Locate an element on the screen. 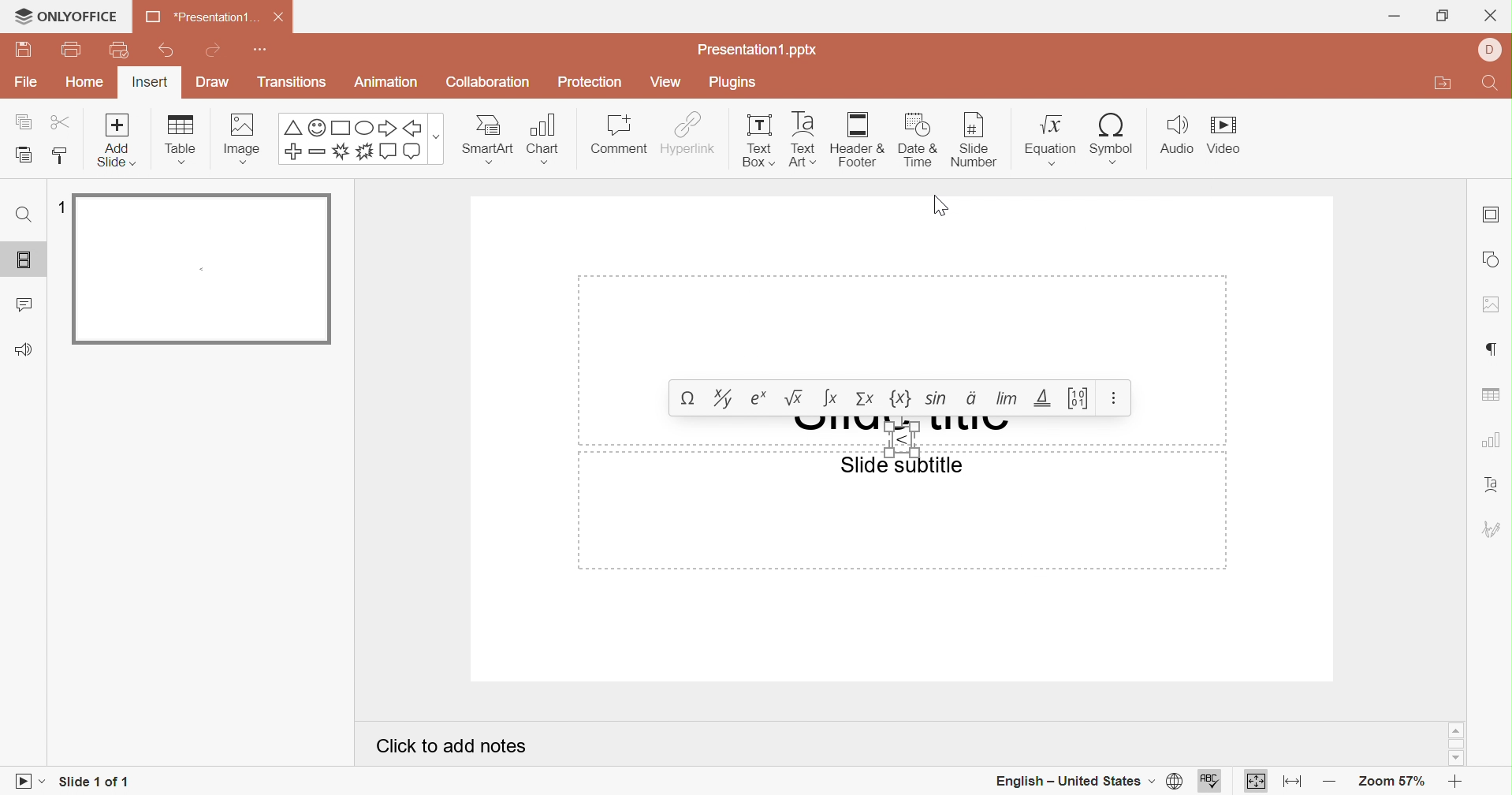 This screenshot has width=1512, height=795. Set document language is located at coordinates (1175, 782).